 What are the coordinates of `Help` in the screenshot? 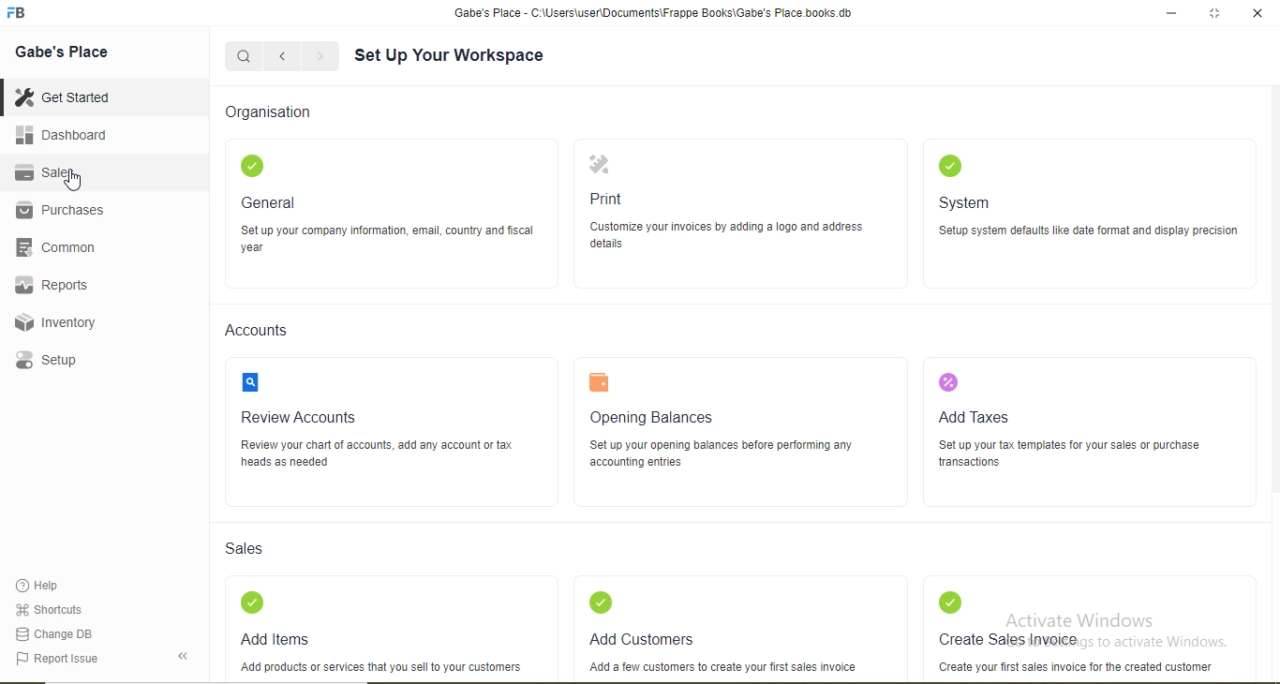 It's located at (50, 584).